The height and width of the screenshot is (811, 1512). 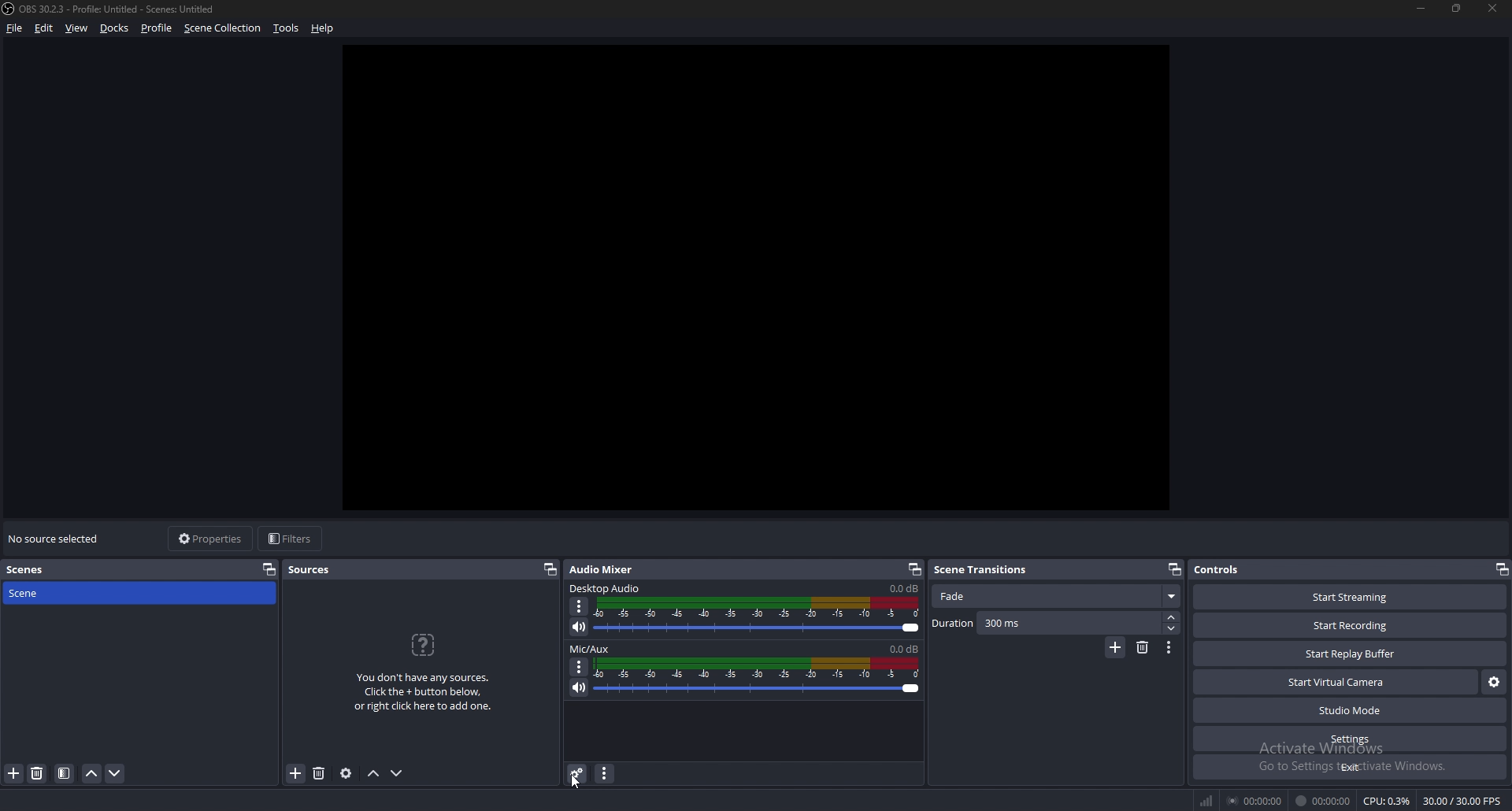 I want to click on scene collection, so click(x=222, y=28).